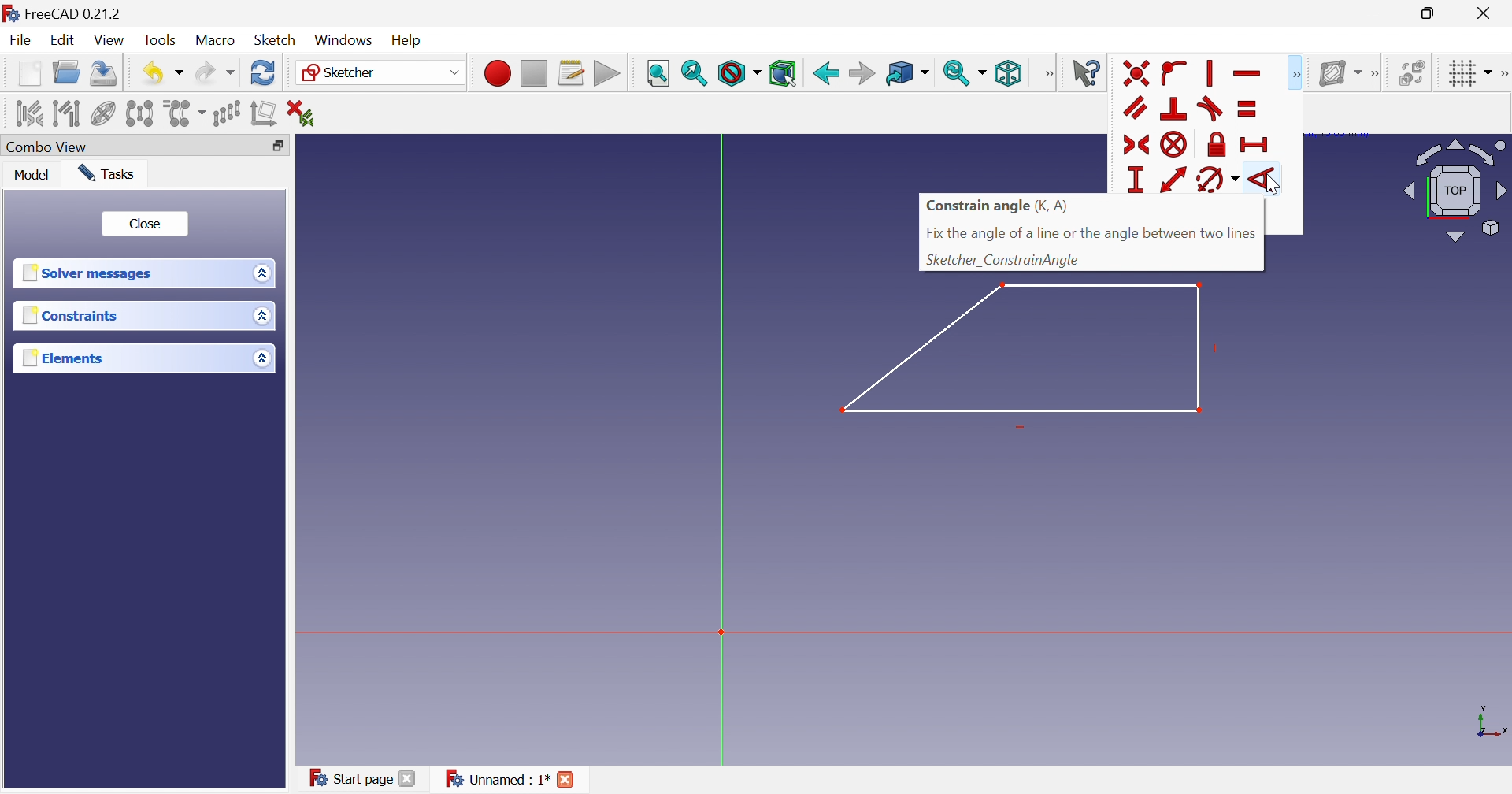  Describe the element at coordinates (1211, 181) in the screenshot. I see `Constraint arc or circle` at that location.